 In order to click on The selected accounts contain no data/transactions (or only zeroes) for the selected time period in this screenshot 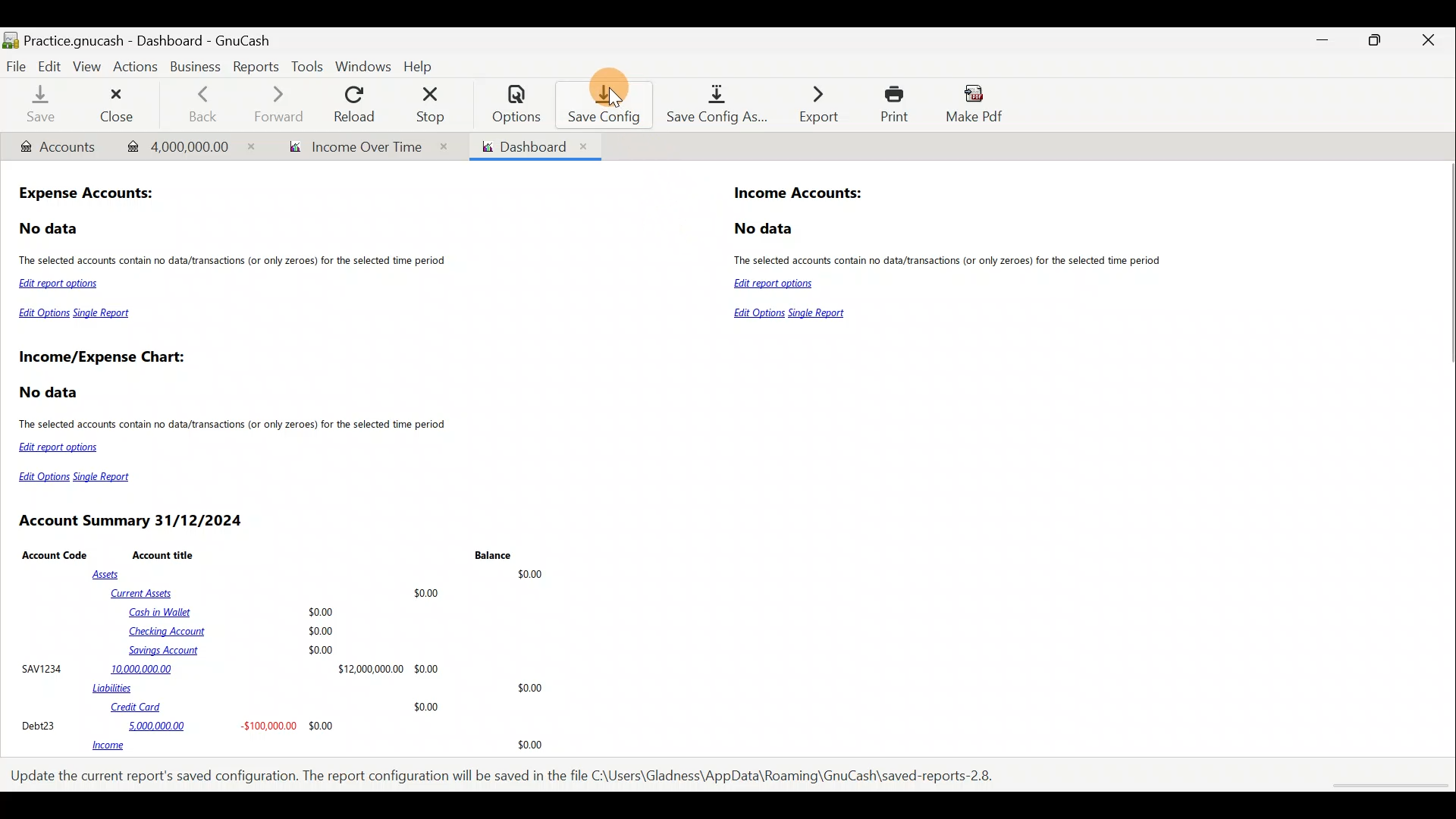, I will do `click(234, 426)`.